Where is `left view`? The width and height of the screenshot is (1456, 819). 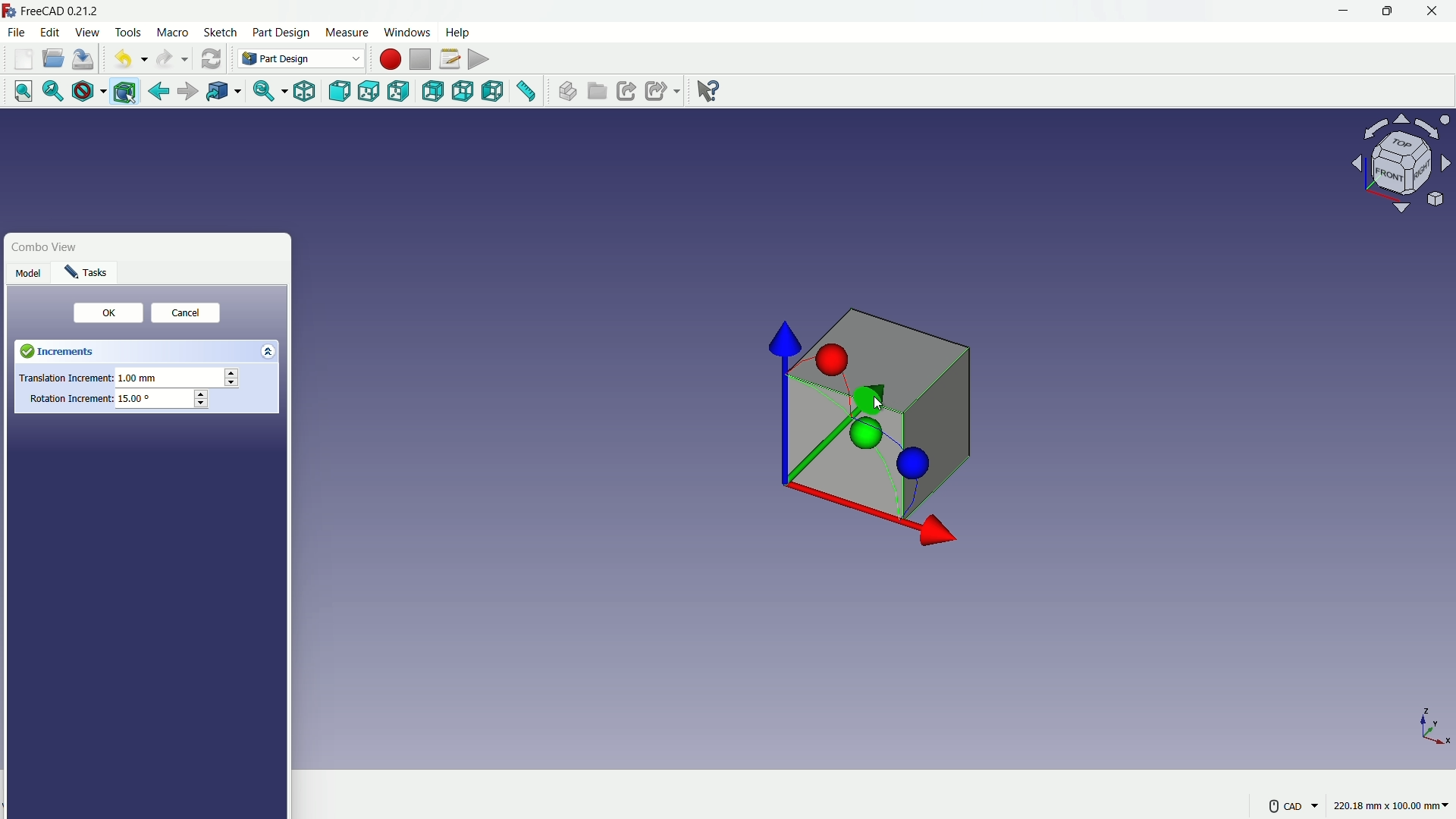
left view is located at coordinates (494, 93).